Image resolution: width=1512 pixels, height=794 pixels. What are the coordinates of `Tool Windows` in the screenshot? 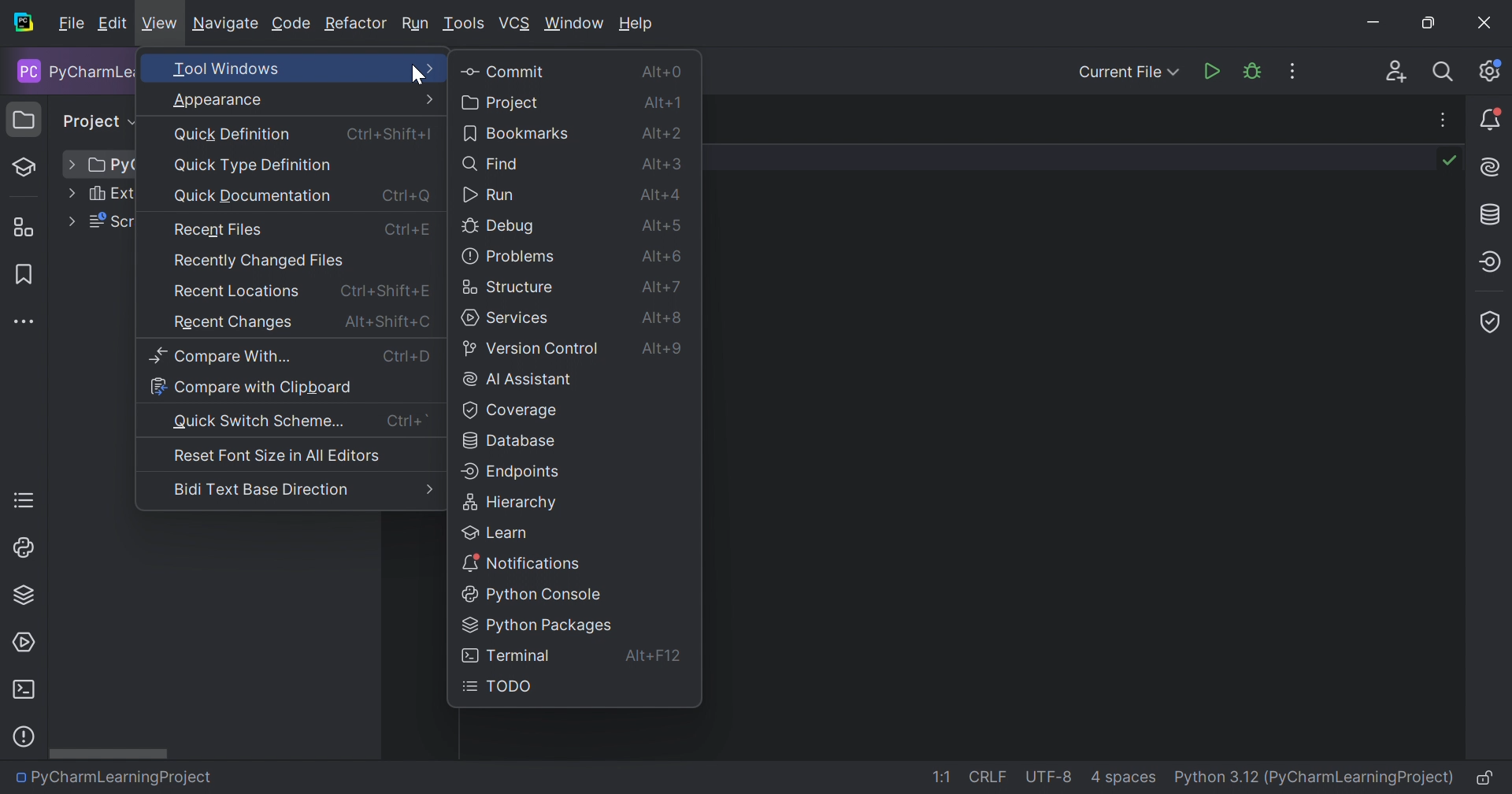 It's located at (302, 69).